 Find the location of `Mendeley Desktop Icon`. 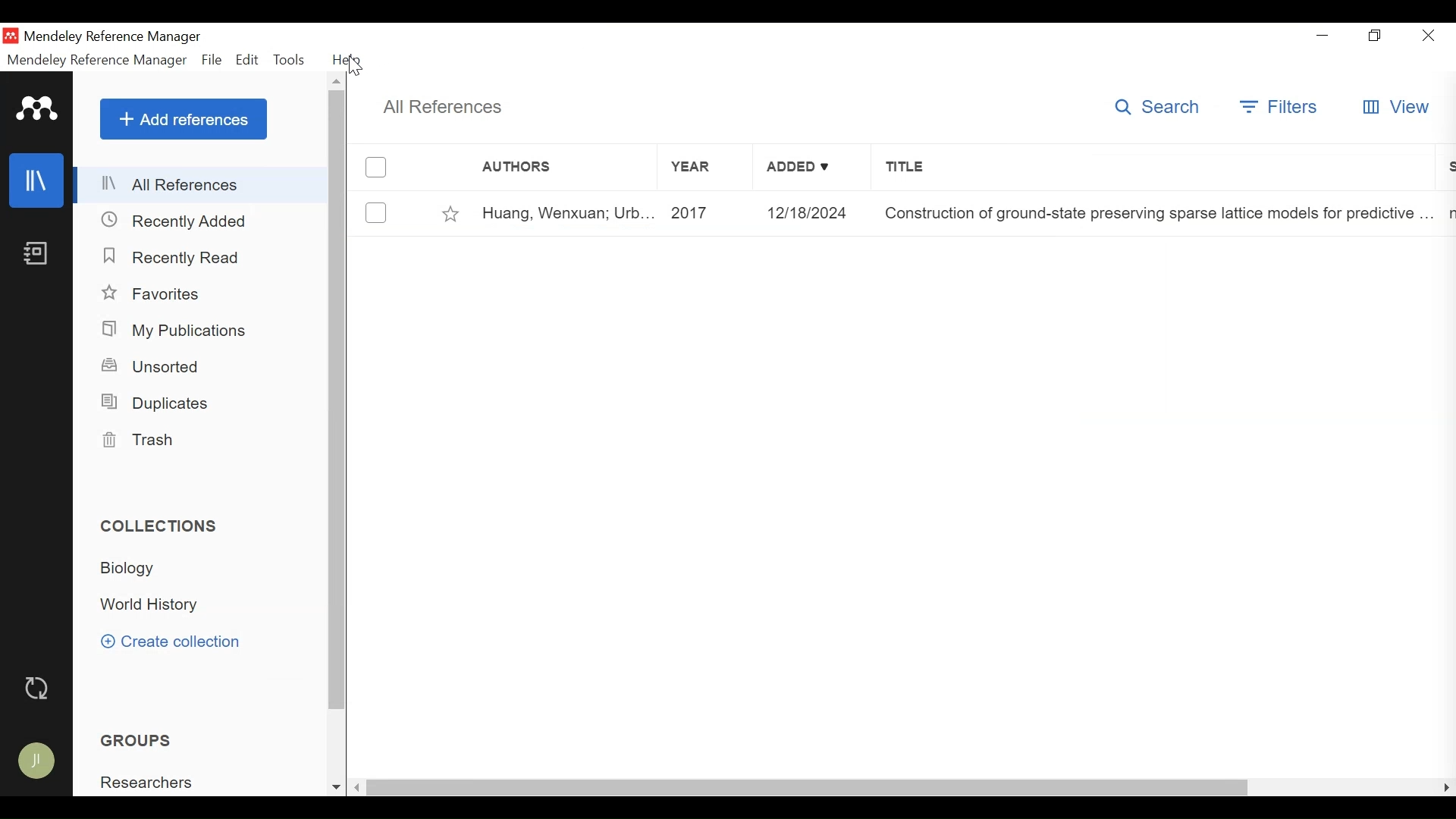

Mendeley Desktop Icon is located at coordinates (12, 36).